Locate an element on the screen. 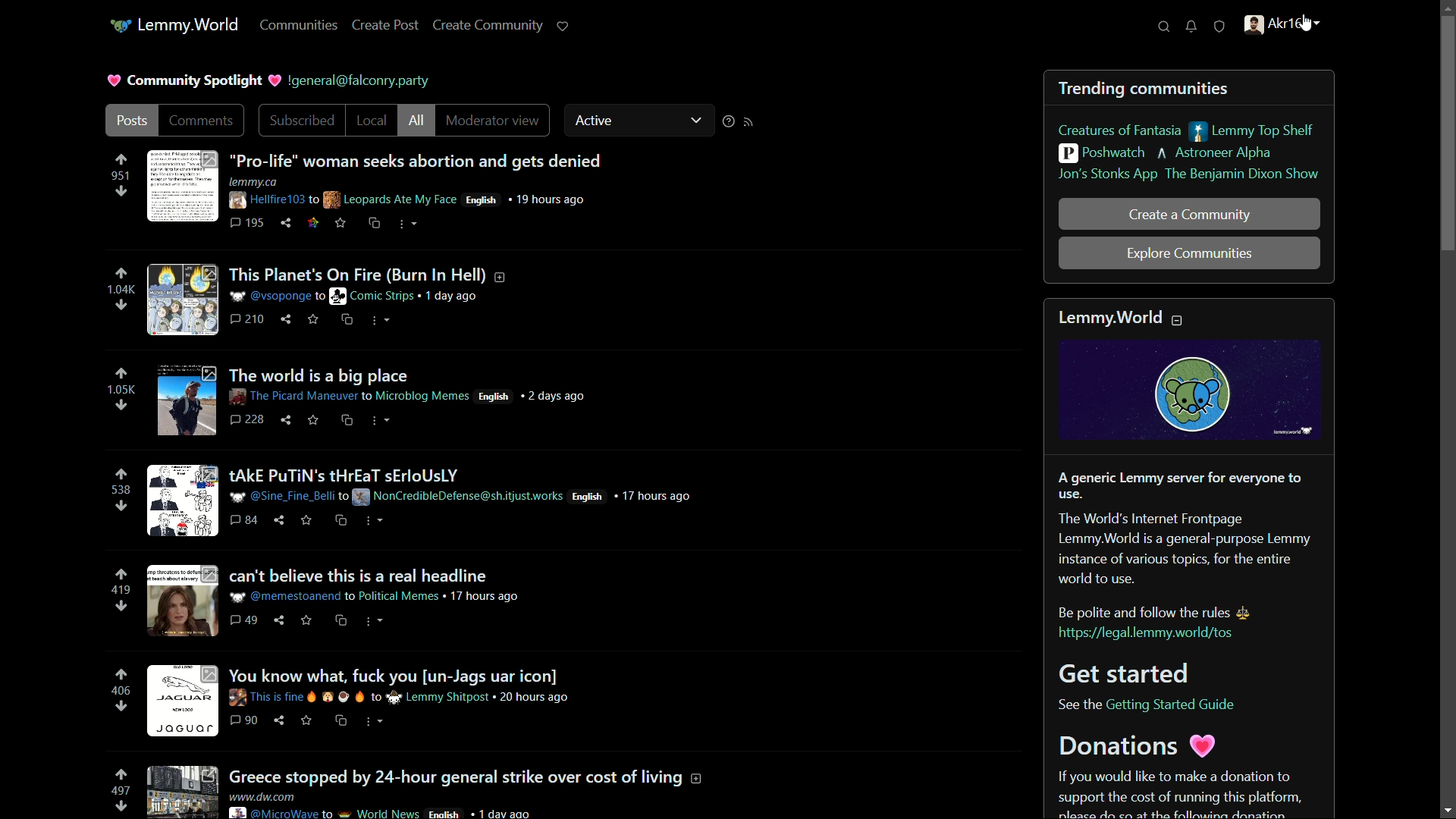  post-2 is located at coordinates (327, 297).